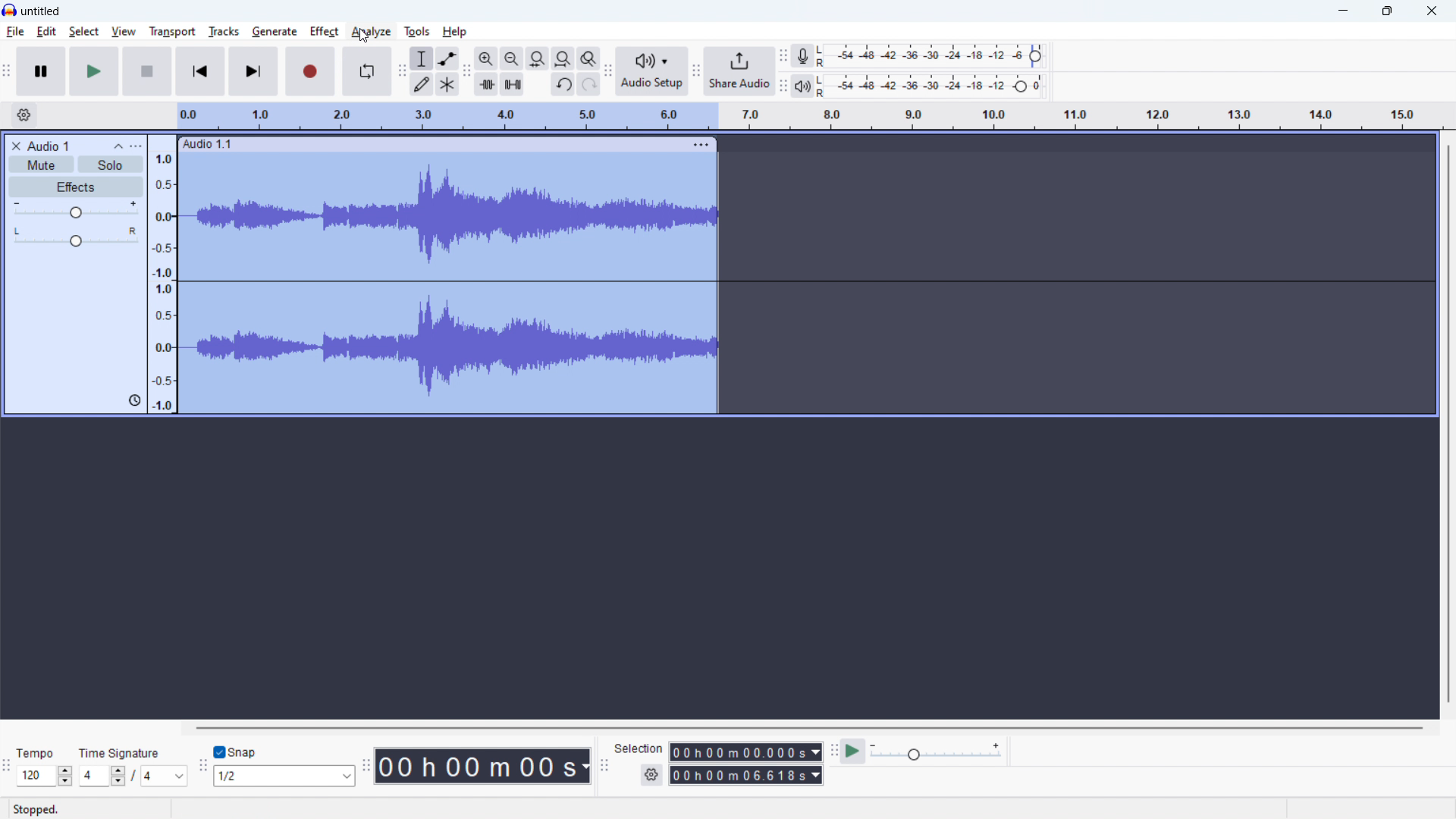  What do you see at coordinates (324, 31) in the screenshot?
I see `effect` at bounding box center [324, 31].